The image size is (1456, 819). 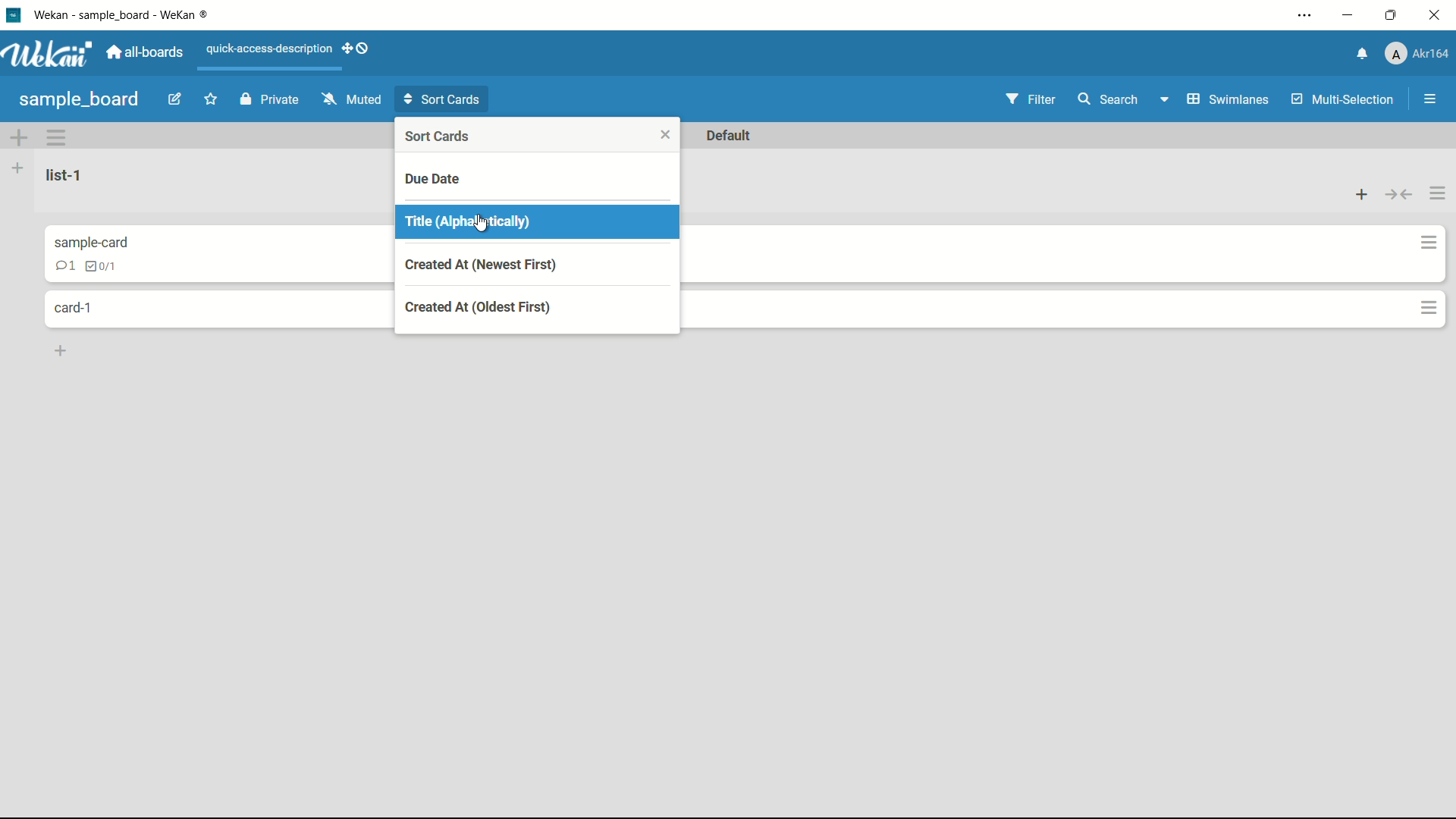 I want to click on settings and more, so click(x=1305, y=16).